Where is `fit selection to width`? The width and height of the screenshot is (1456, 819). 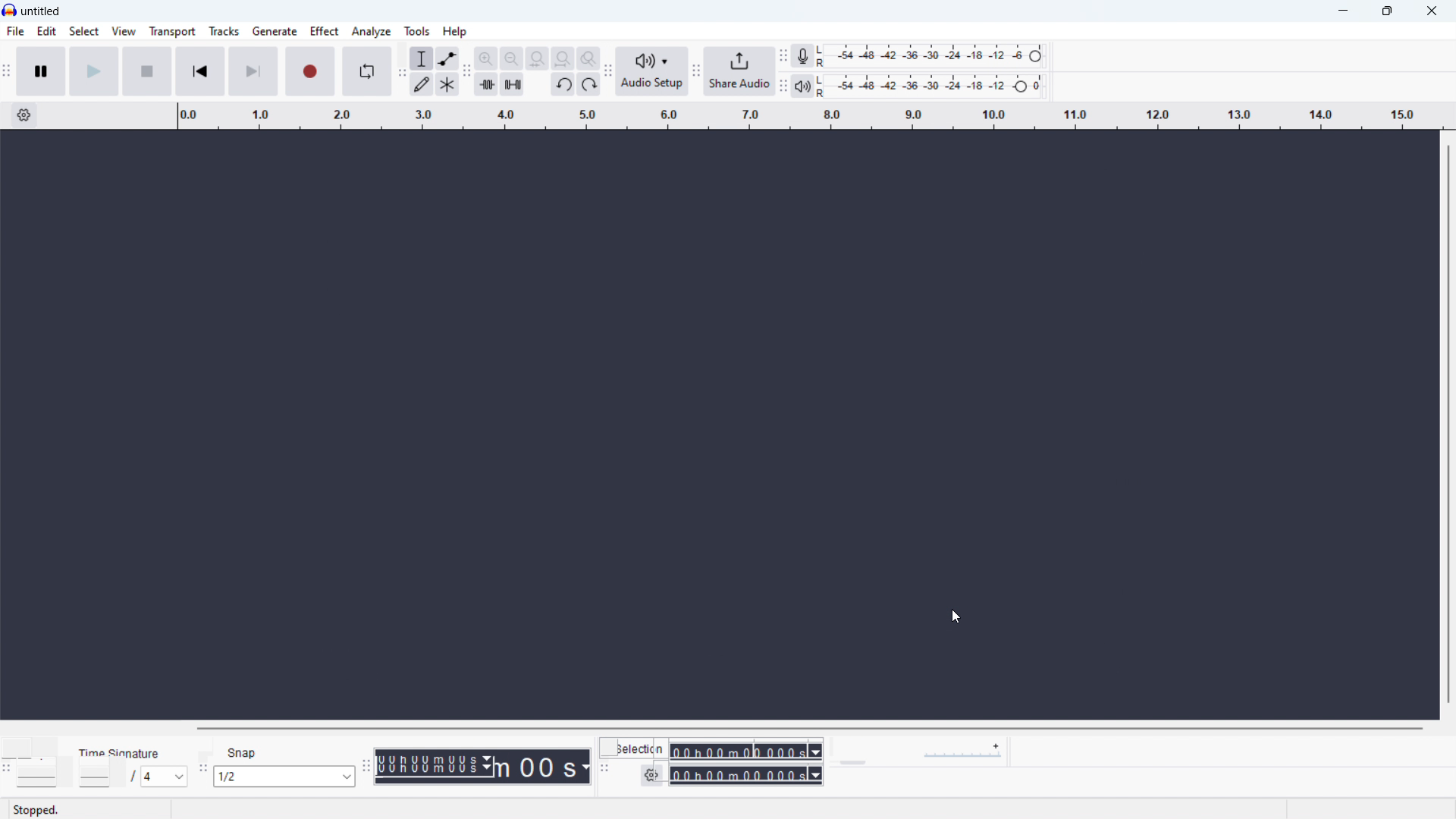
fit selection to width is located at coordinates (537, 59).